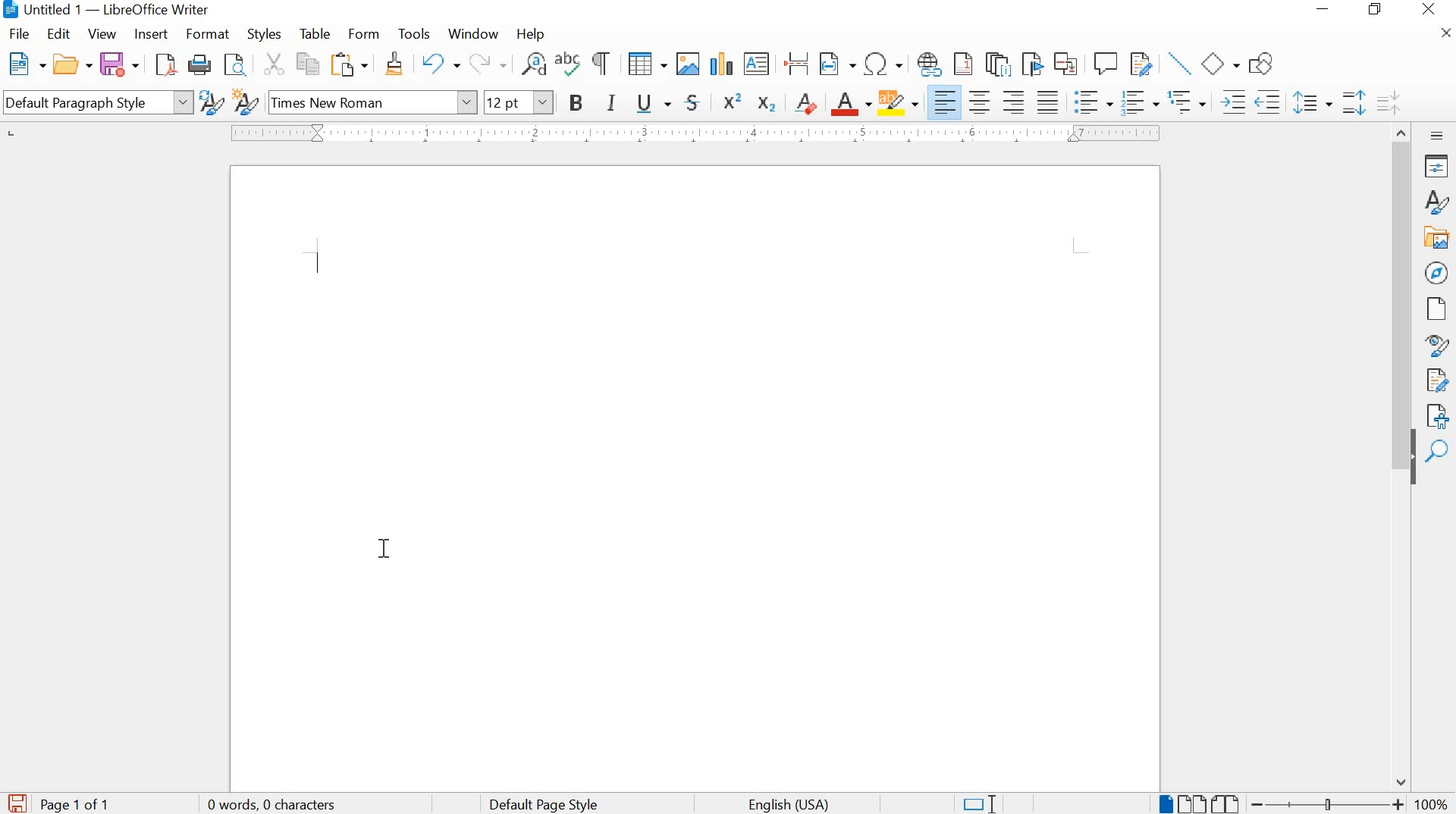 The width and height of the screenshot is (1456, 814). What do you see at coordinates (263, 36) in the screenshot?
I see `STYLES` at bounding box center [263, 36].